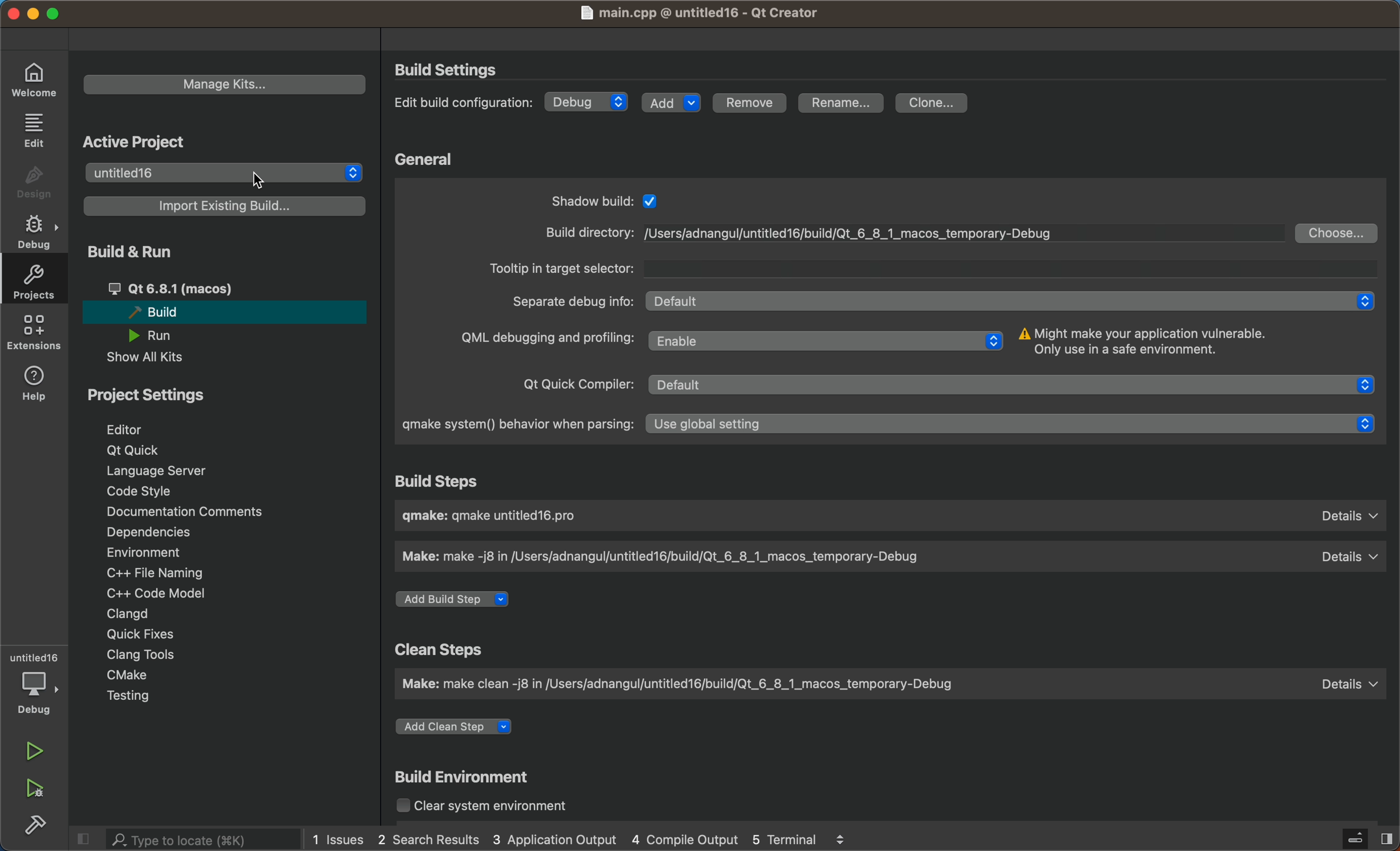 This screenshot has height=851, width=1400. What do you see at coordinates (36, 280) in the screenshot?
I see `projects` at bounding box center [36, 280].